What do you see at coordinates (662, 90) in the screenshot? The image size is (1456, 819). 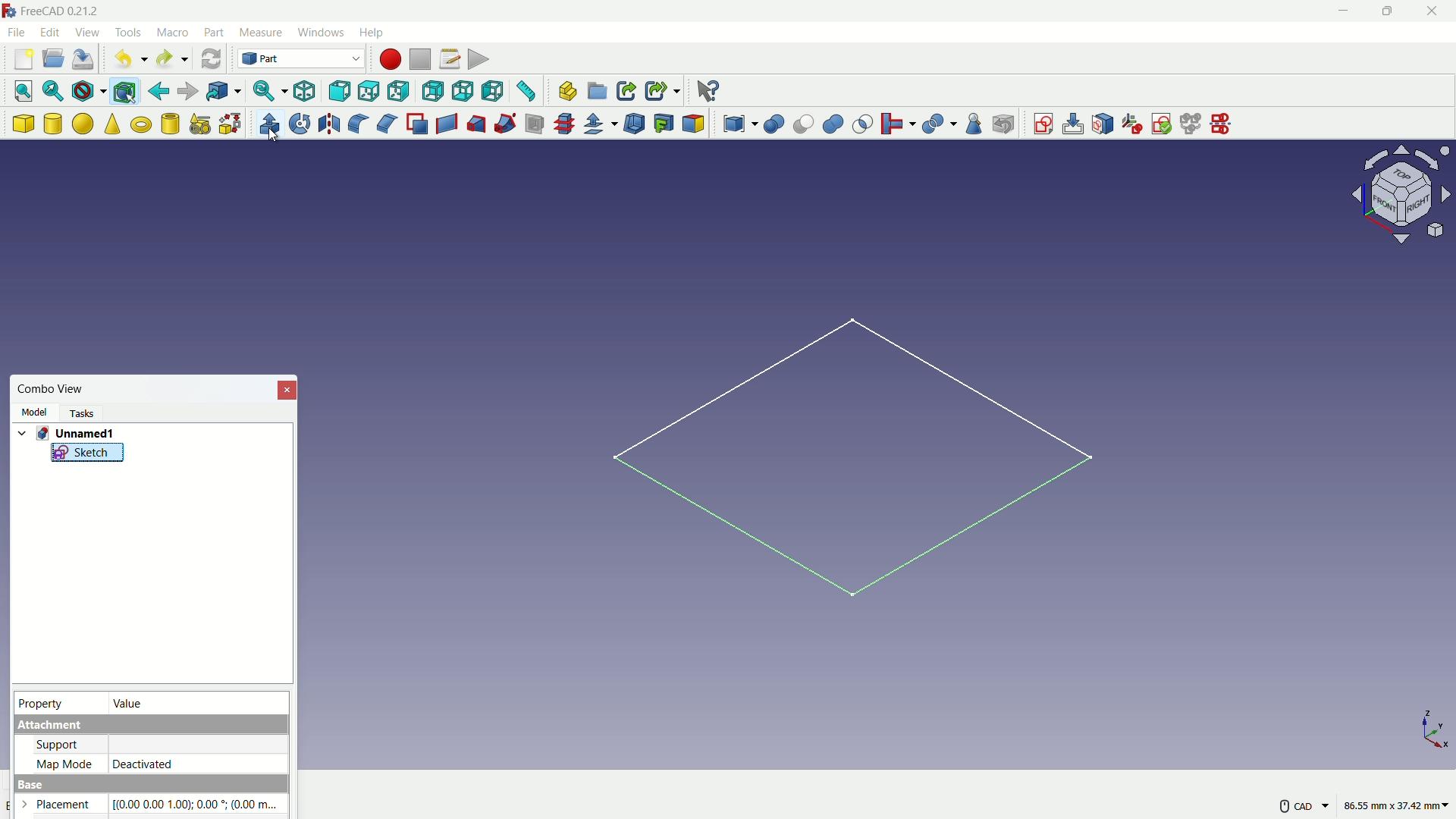 I see `create sub link` at bounding box center [662, 90].